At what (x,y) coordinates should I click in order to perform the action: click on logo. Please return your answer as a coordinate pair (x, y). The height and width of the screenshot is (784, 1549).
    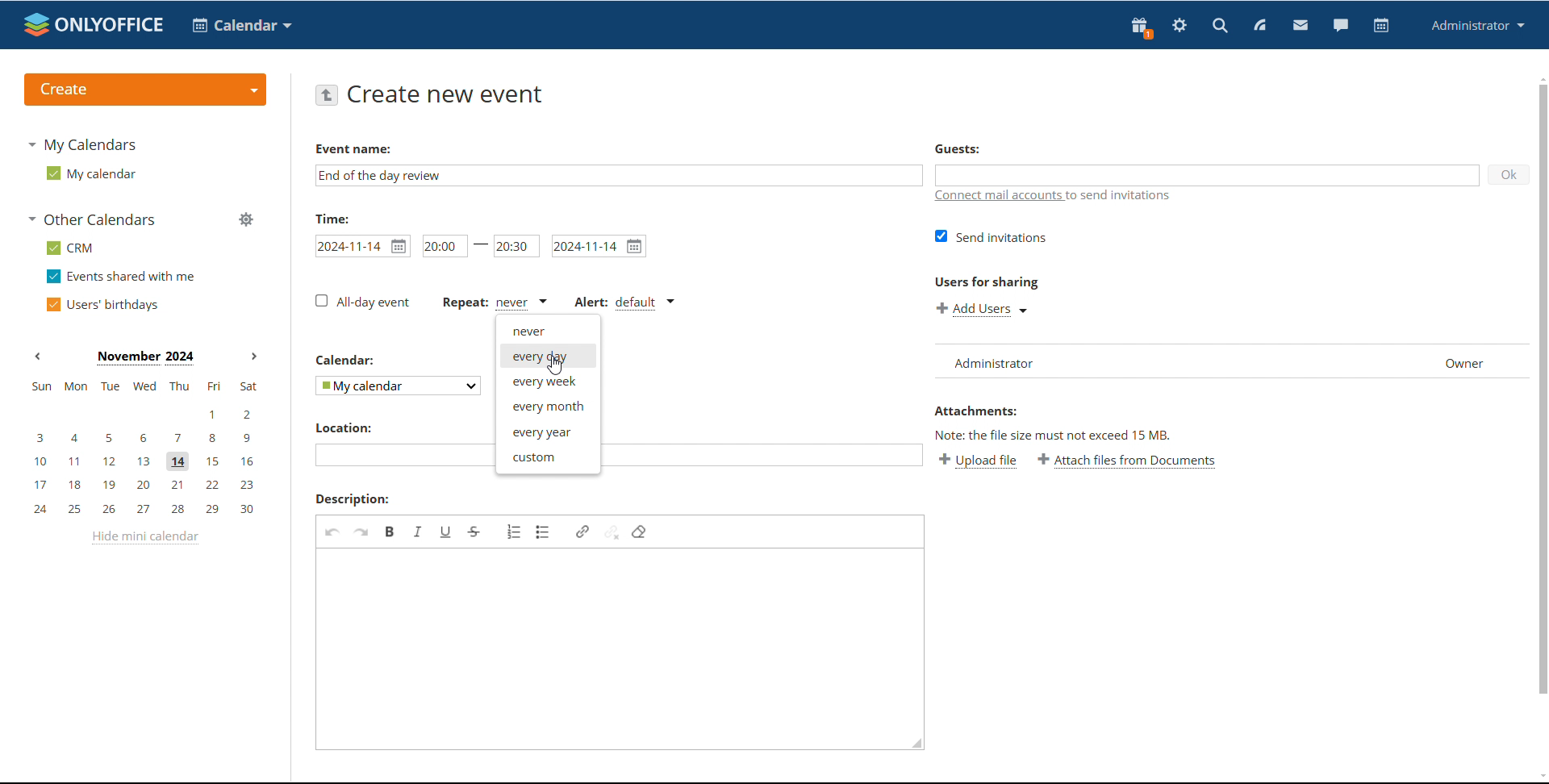
    Looking at the image, I should click on (94, 24).